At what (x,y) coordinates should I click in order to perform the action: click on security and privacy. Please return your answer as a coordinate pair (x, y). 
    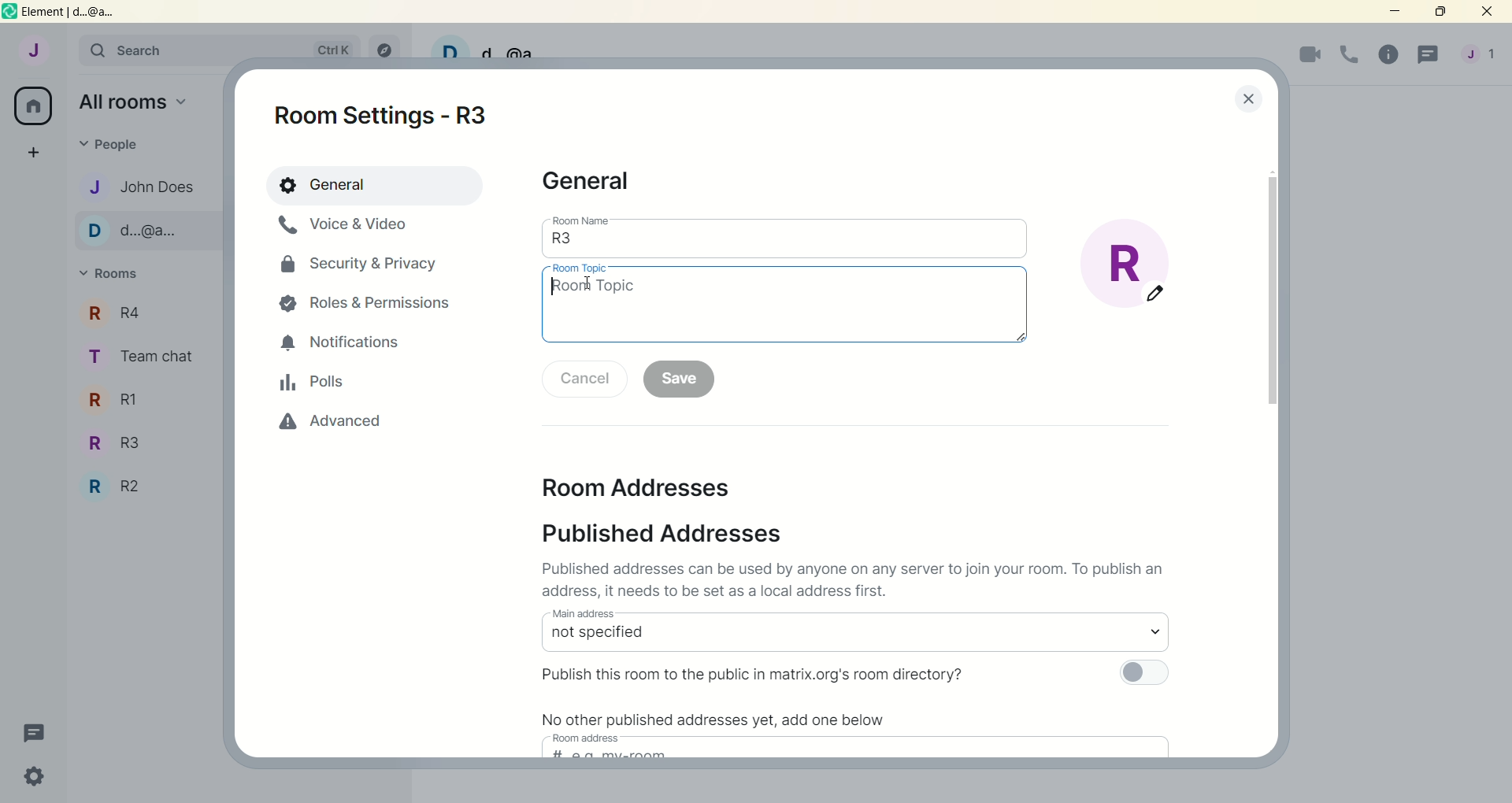
    Looking at the image, I should click on (355, 264).